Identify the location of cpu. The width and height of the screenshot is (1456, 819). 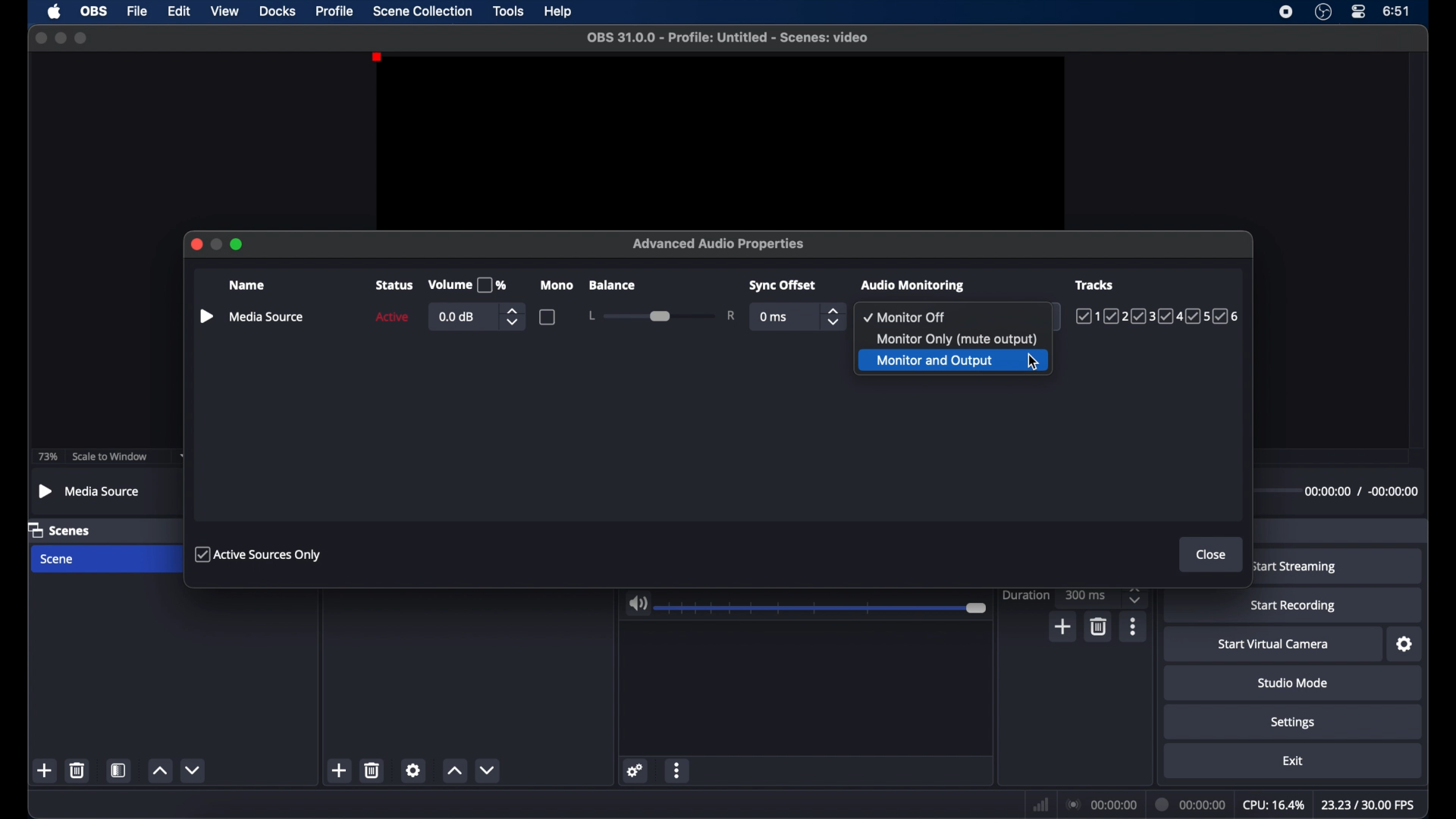
(1273, 805).